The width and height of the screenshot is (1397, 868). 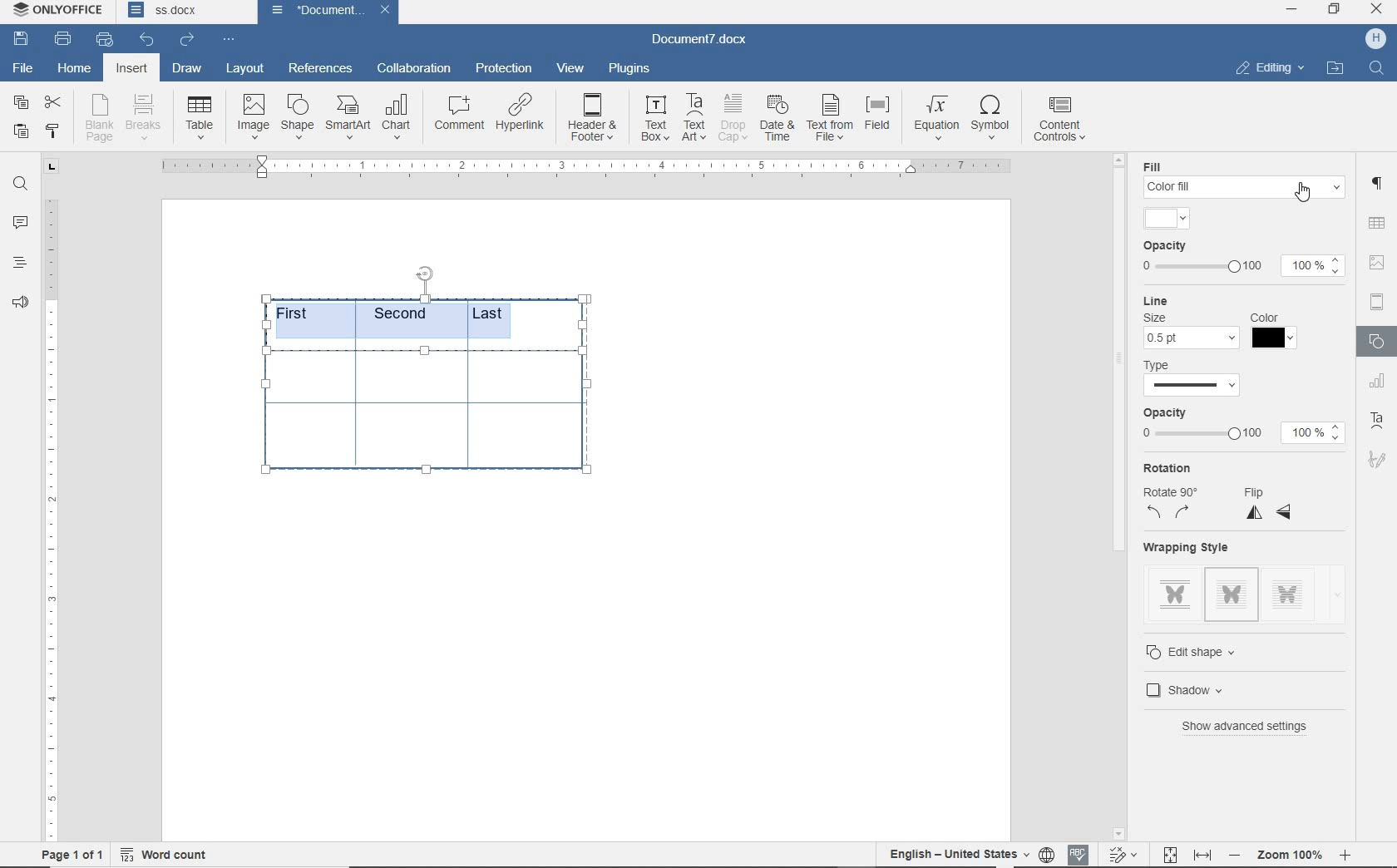 What do you see at coordinates (1335, 10) in the screenshot?
I see `RESTORE DOWN` at bounding box center [1335, 10].